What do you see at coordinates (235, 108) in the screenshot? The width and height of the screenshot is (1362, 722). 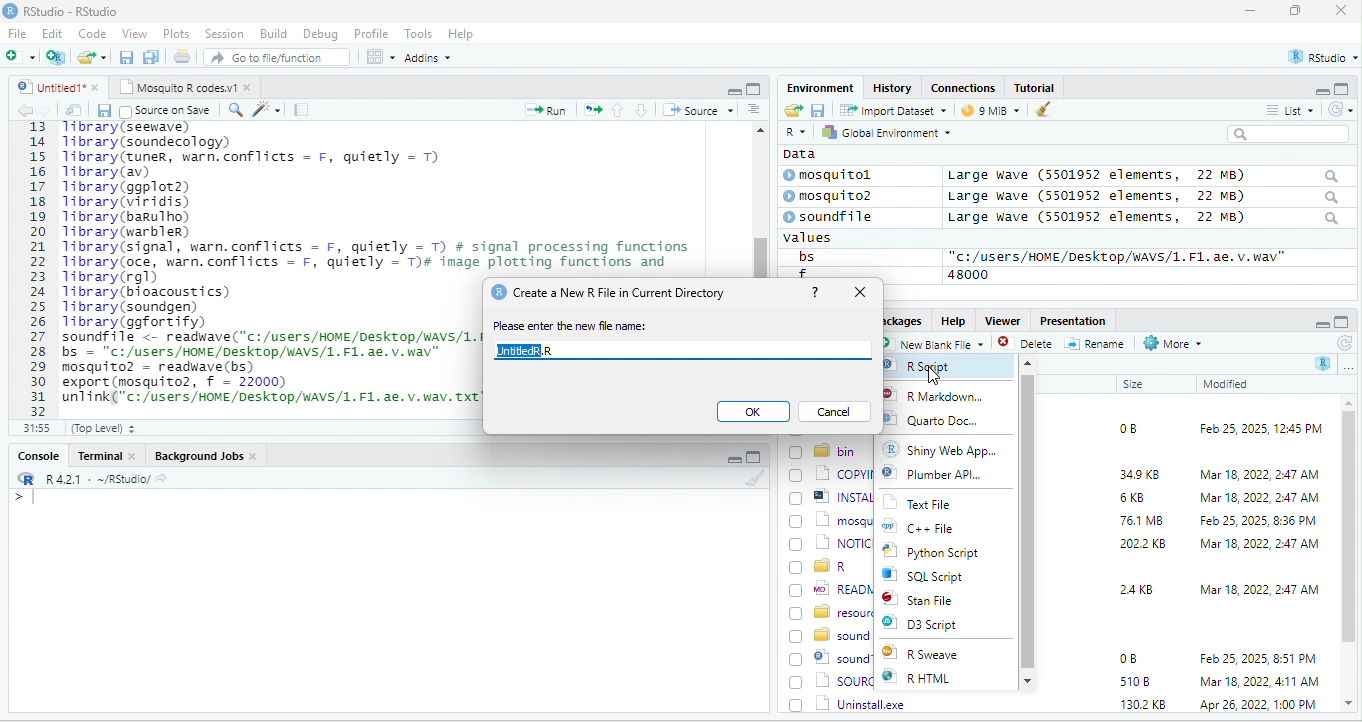 I see `search` at bounding box center [235, 108].